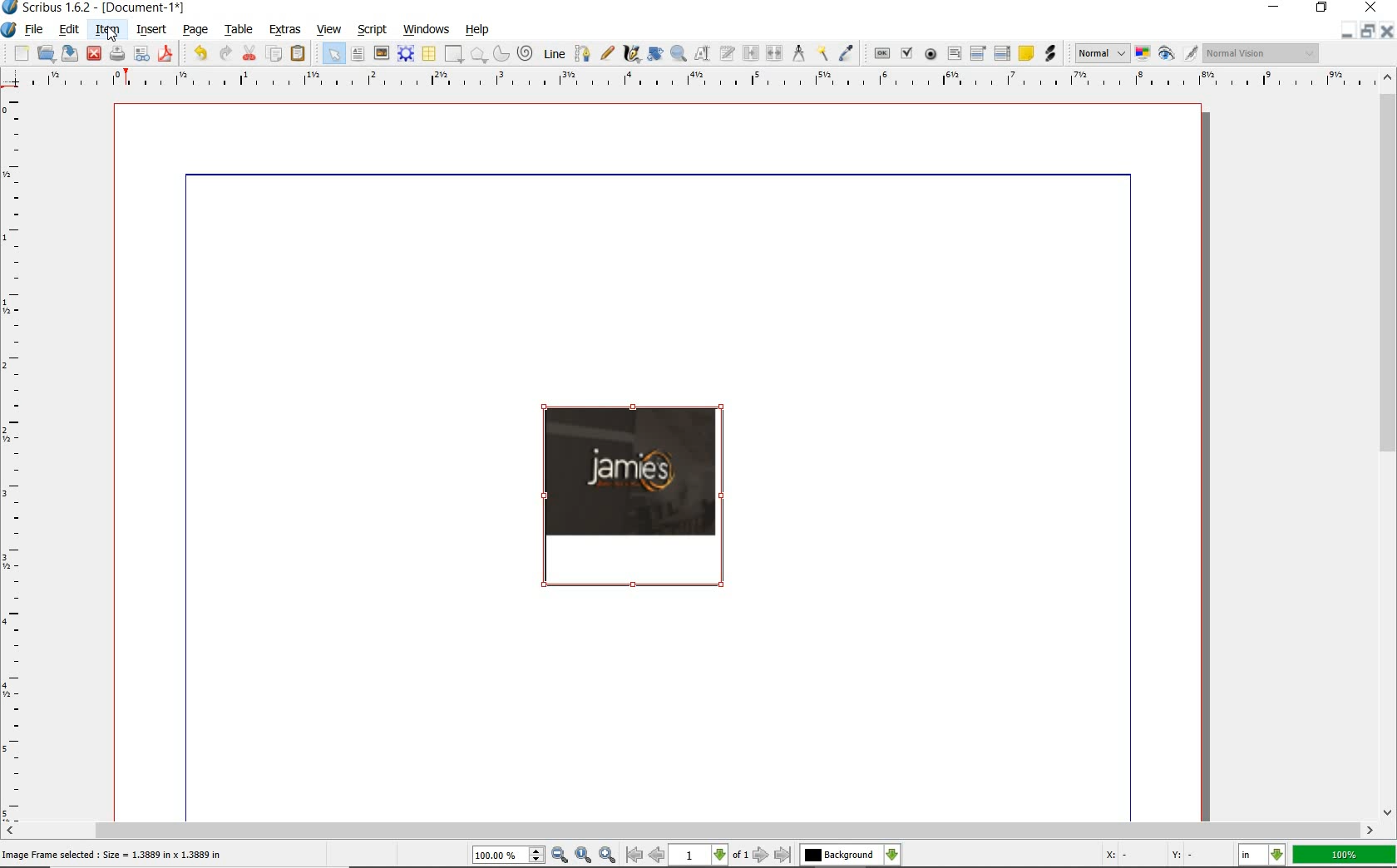 The image size is (1397, 868). I want to click on new, so click(19, 52).